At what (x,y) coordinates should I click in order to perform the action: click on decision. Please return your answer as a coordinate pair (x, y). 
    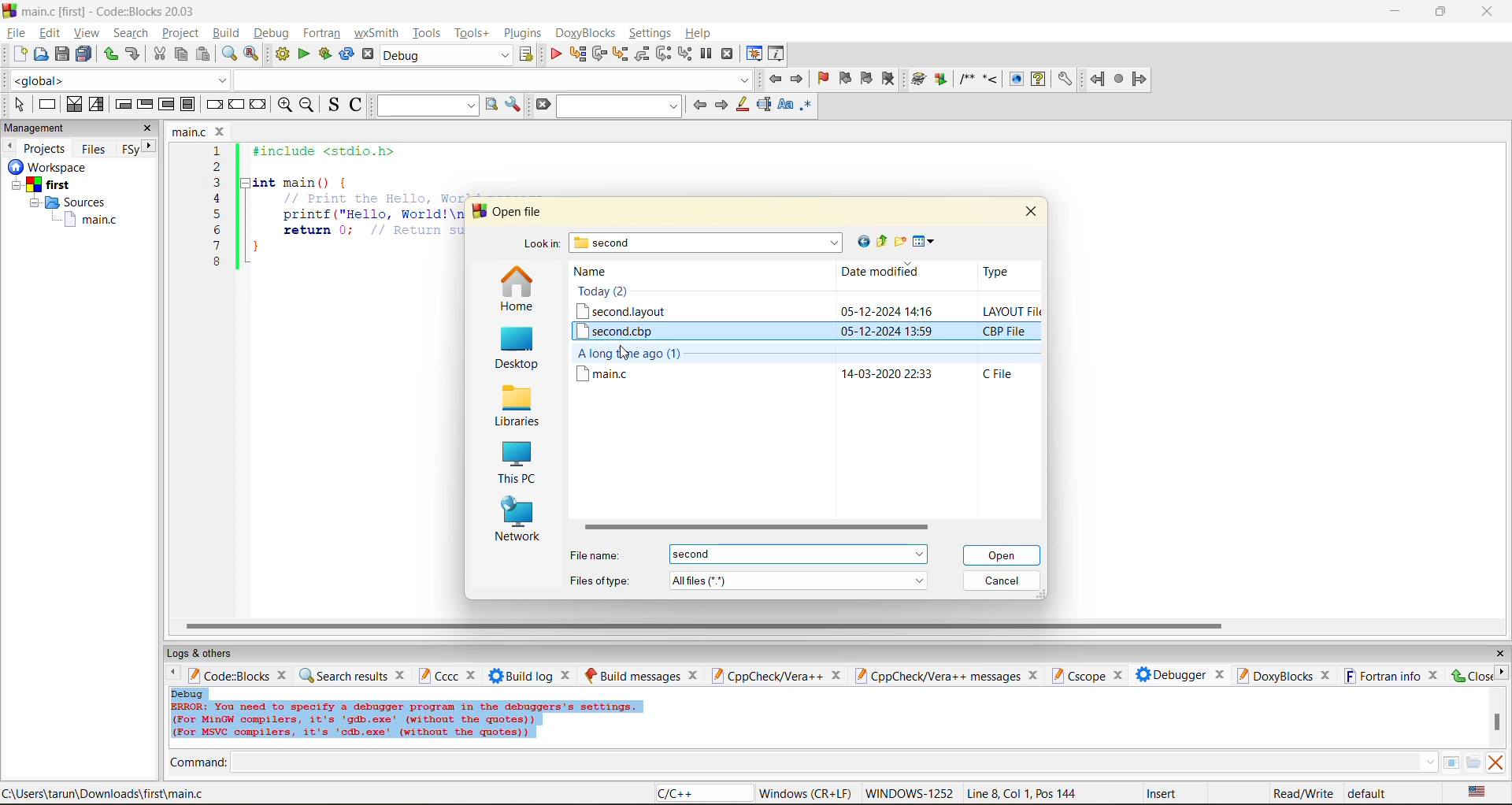
    Looking at the image, I should click on (73, 104).